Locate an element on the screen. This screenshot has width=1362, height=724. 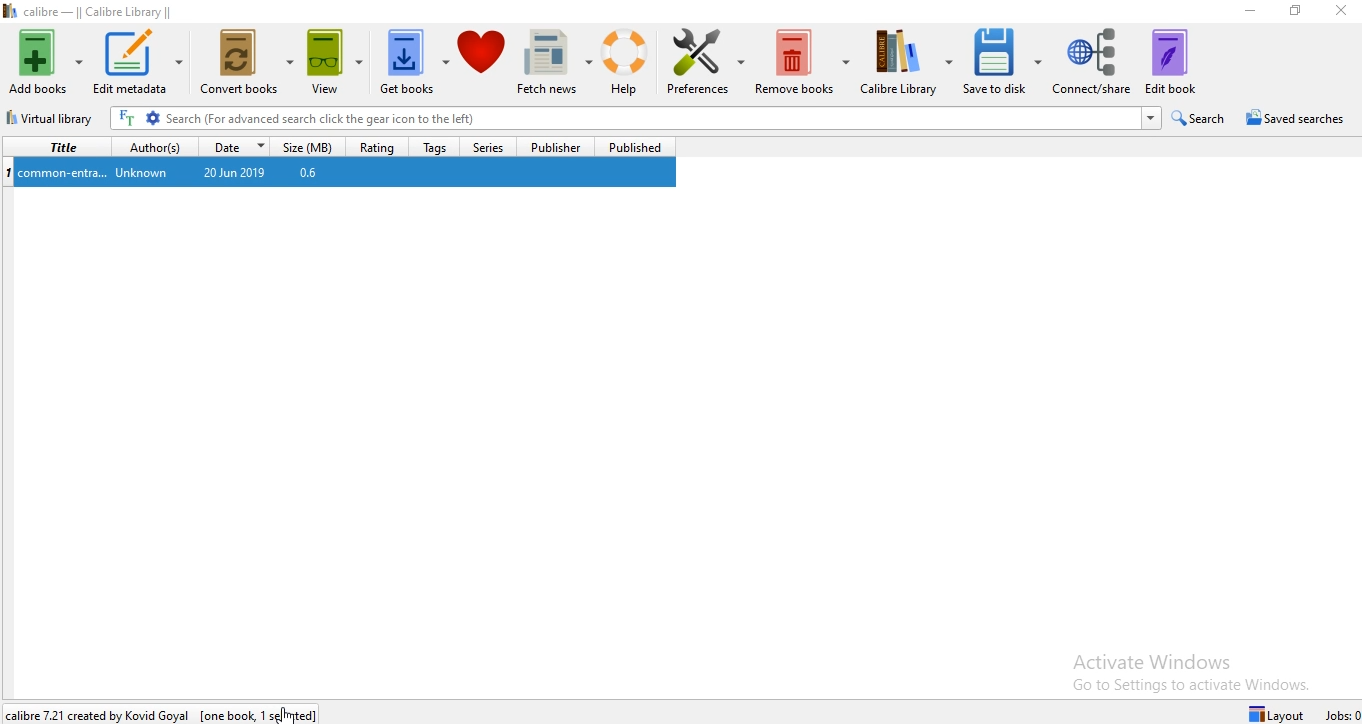
Search Bar is located at coordinates (660, 119).